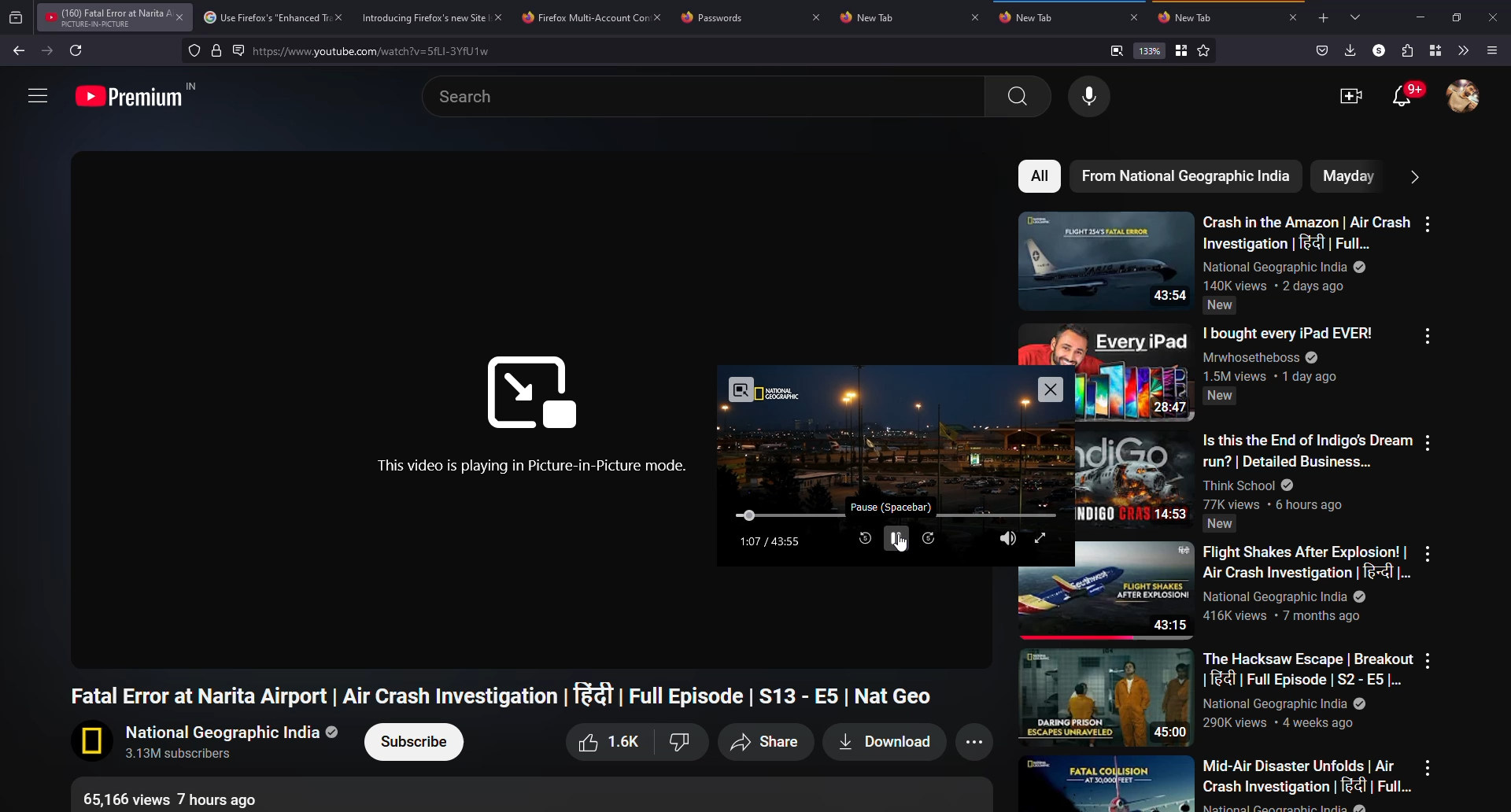 This screenshot has height=812, width=1511. What do you see at coordinates (1026, 17) in the screenshot?
I see `tab` at bounding box center [1026, 17].